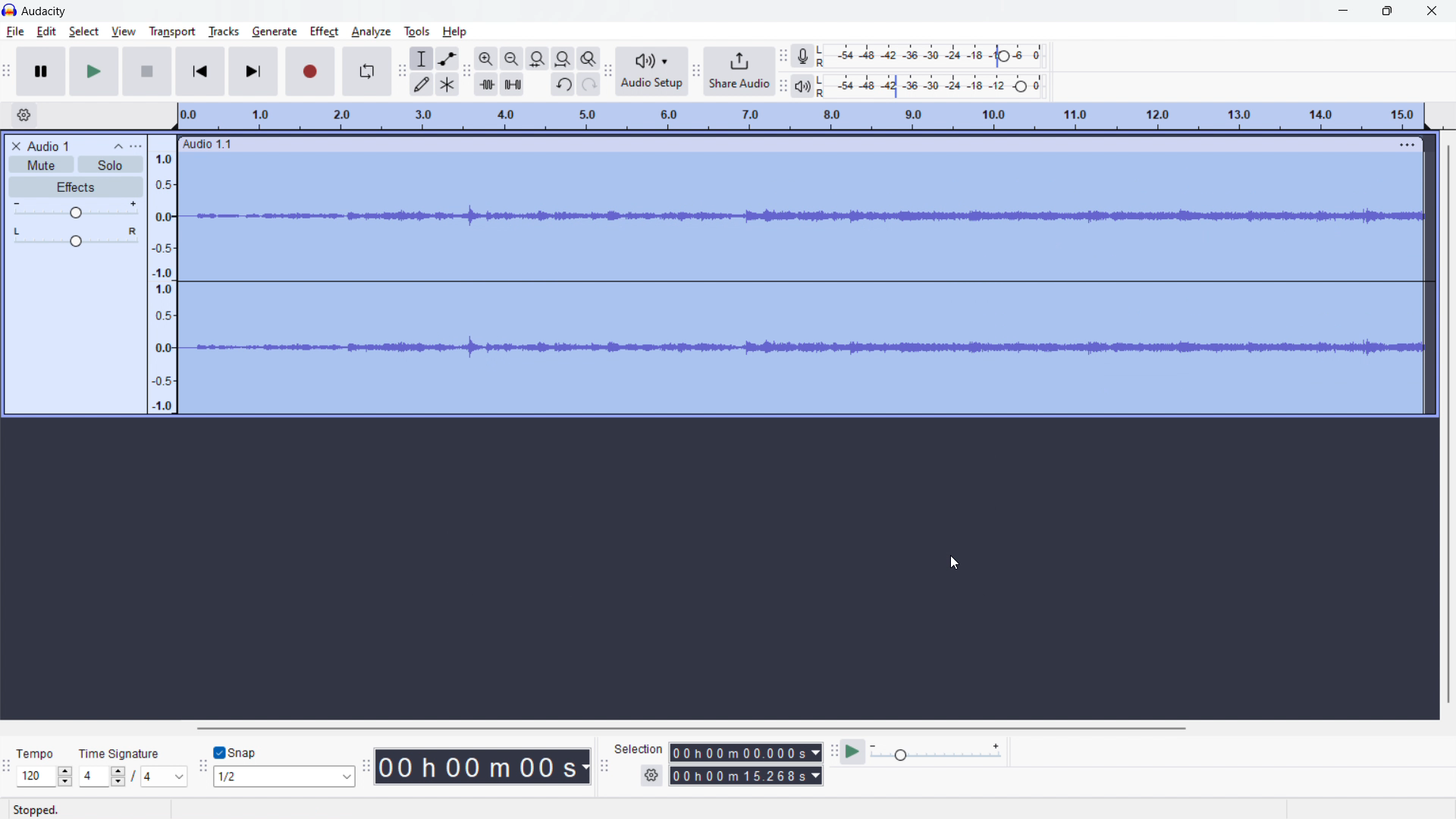  What do you see at coordinates (47, 31) in the screenshot?
I see `edit` at bounding box center [47, 31].